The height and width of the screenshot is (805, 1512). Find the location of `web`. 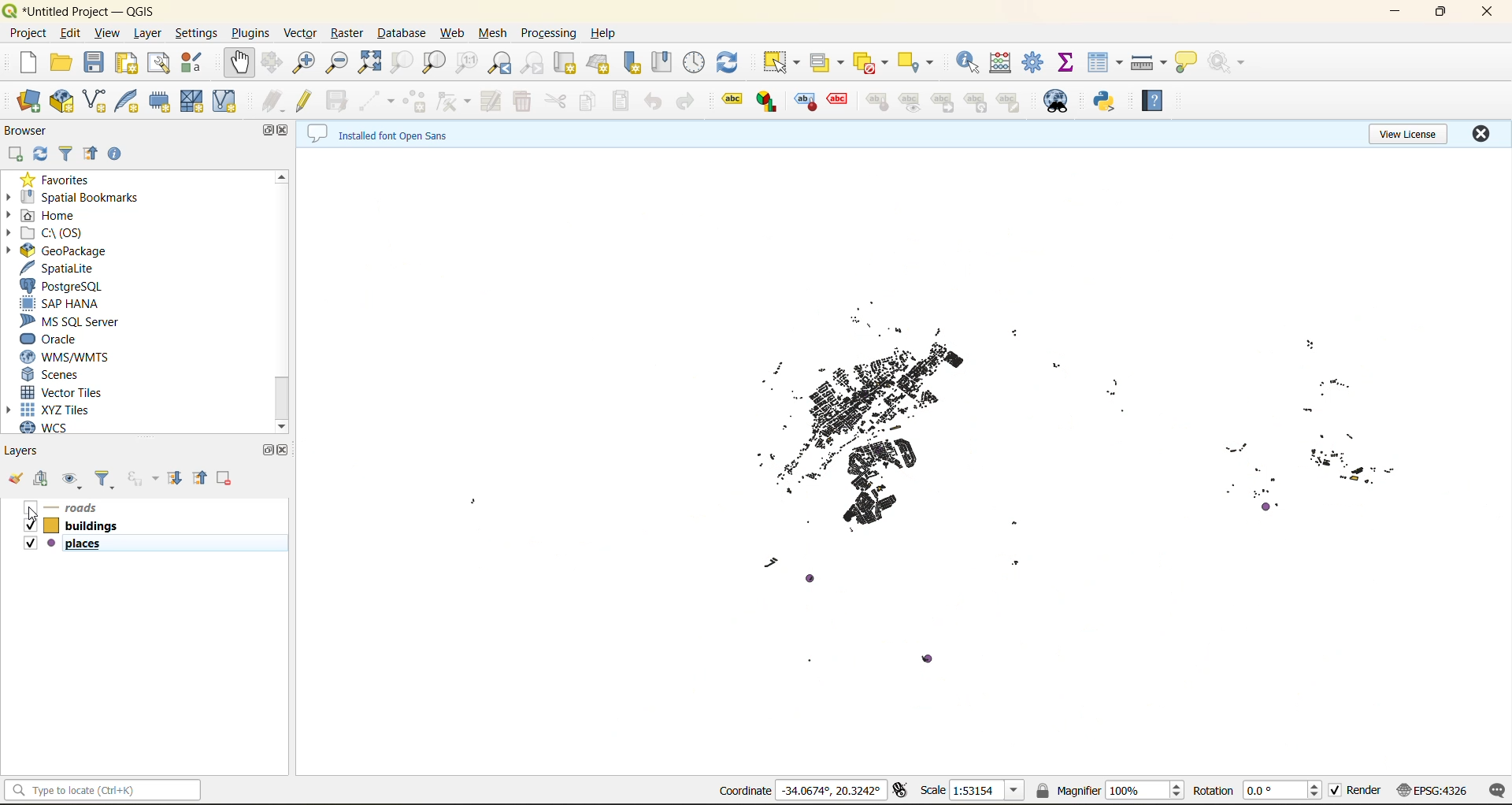

web is located at coordinates (454, 32).